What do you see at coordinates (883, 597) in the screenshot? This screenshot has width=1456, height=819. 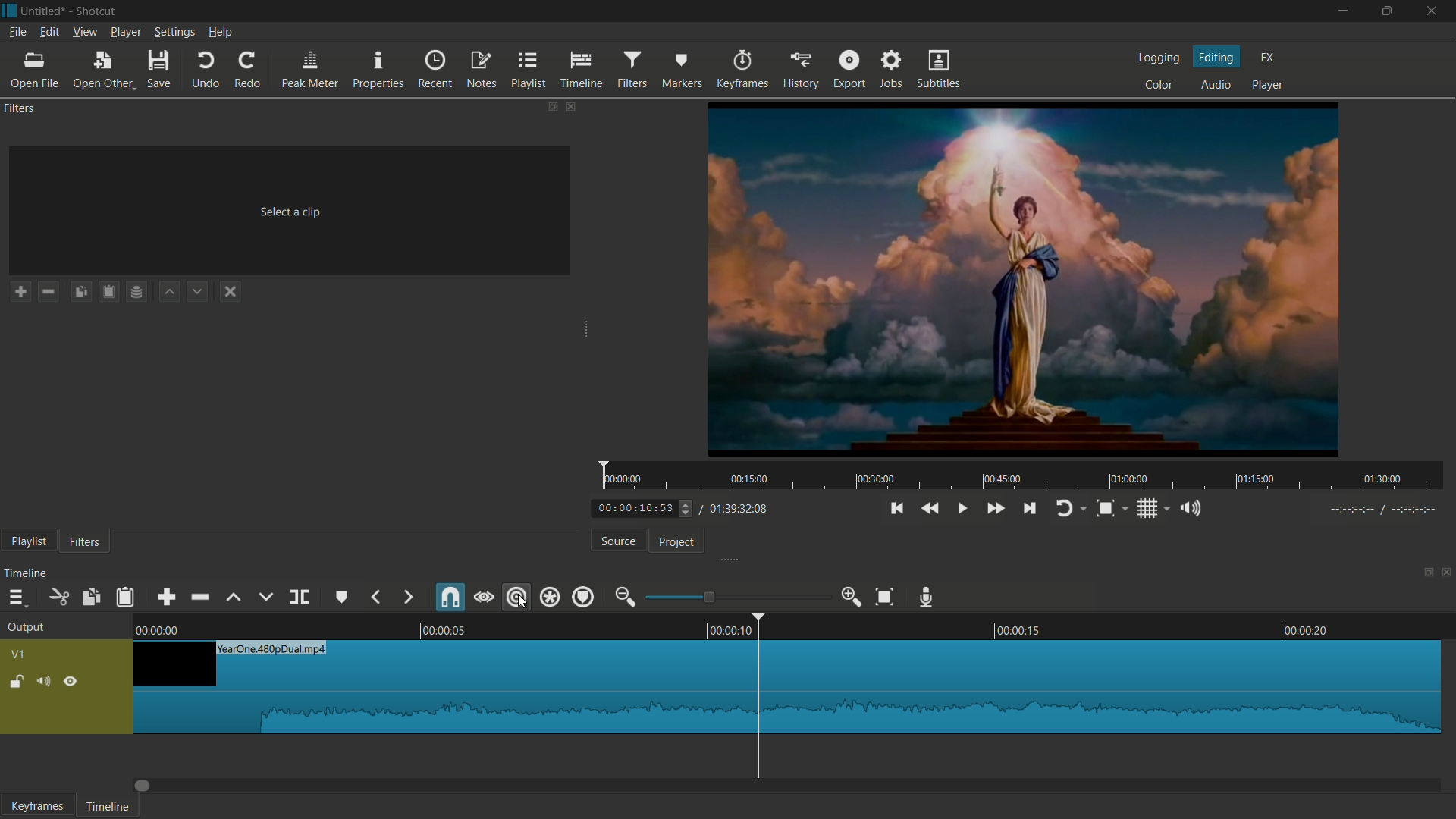 I see `zoom timeline to fit` at bounding box center [883, 597].